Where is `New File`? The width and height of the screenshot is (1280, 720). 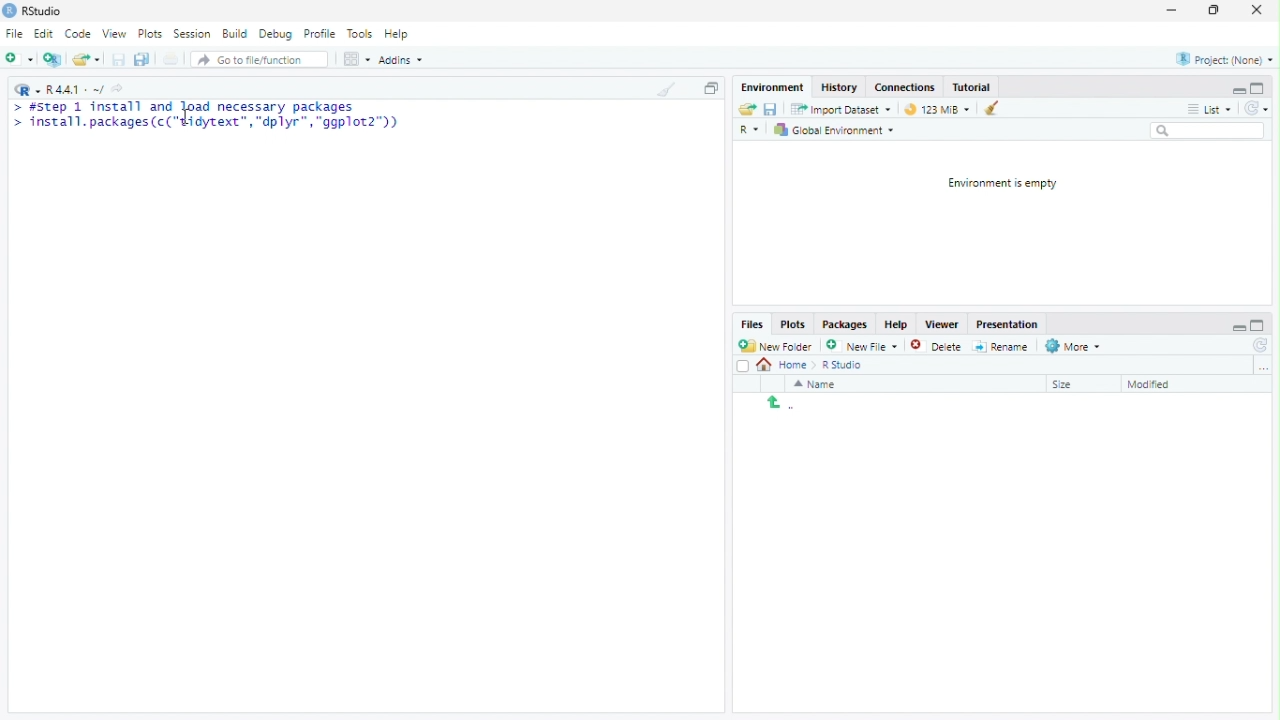
New File is located at coordinates (860, 345).